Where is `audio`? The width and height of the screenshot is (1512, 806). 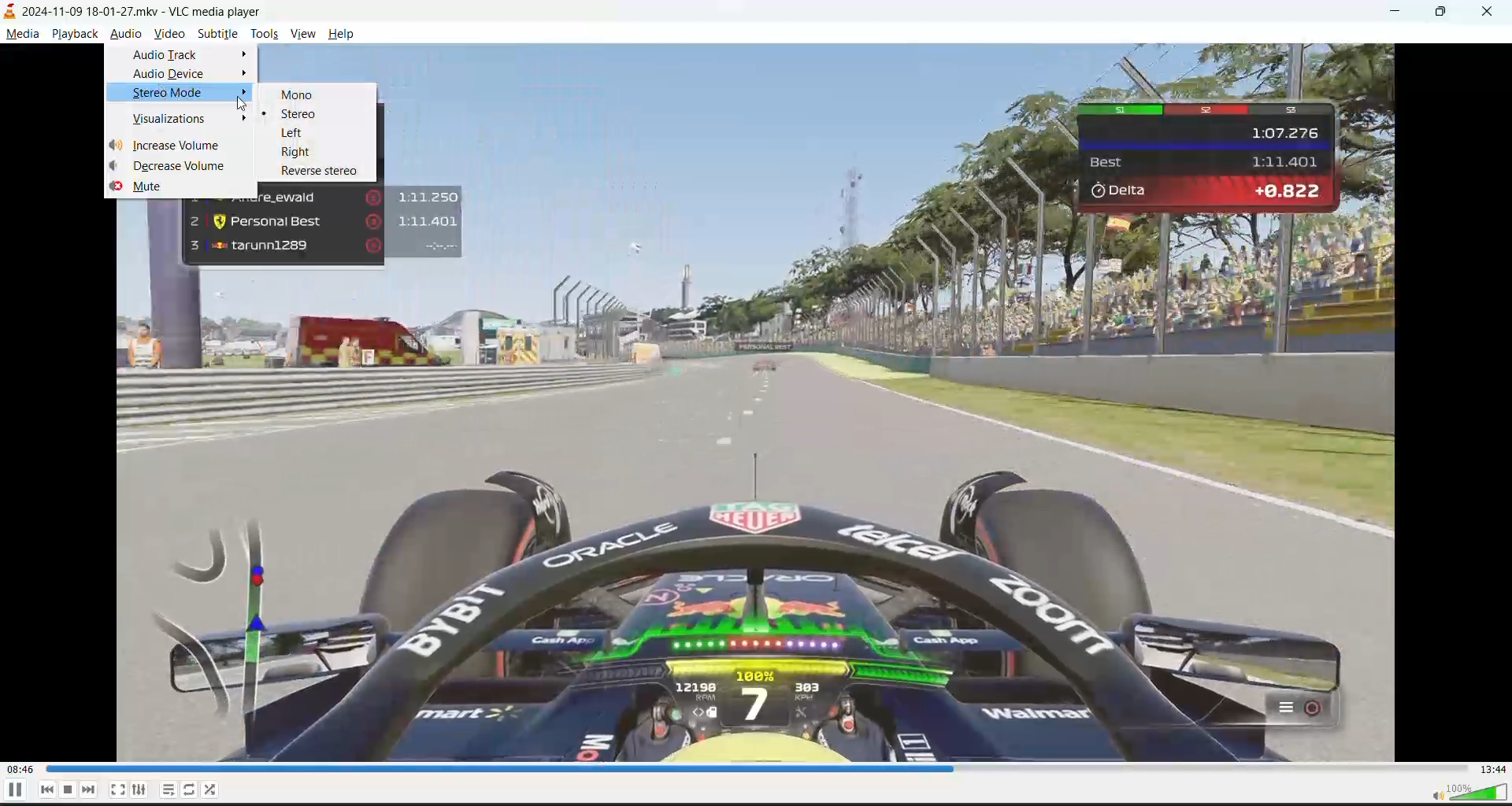 audio is located at coordinates (123, 32).